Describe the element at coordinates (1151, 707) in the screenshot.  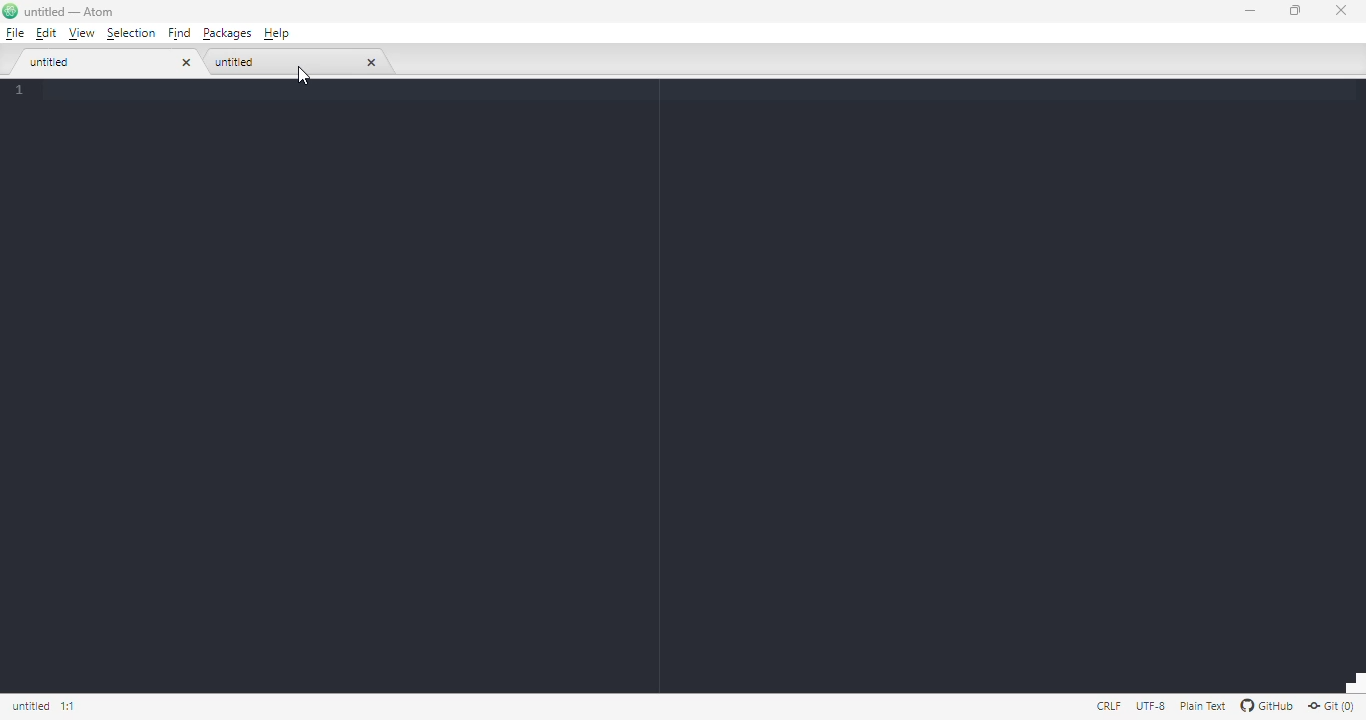
I see `UTF-8` at that location.